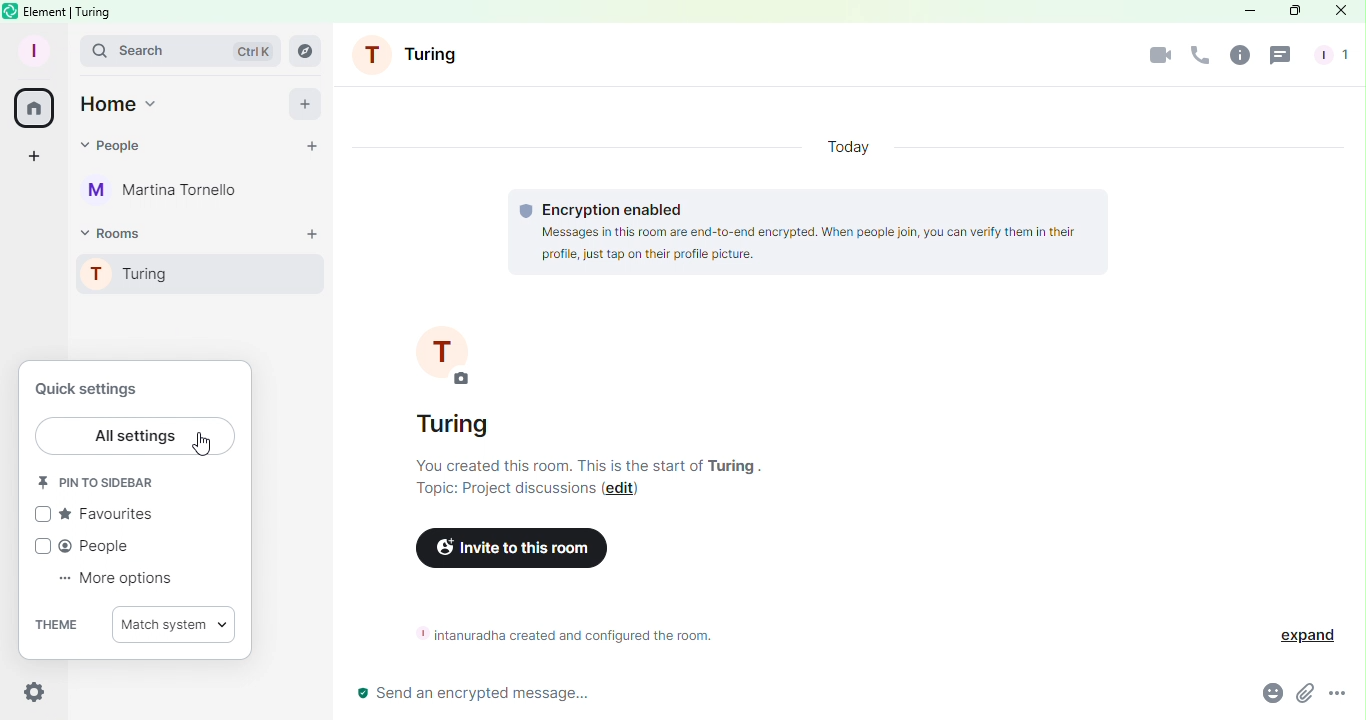 This screenshot has height=720, width=1366. What do you see at coordinates (451, 425) in the screenshot?
I see `Turing` at bounding box center [451, 425].